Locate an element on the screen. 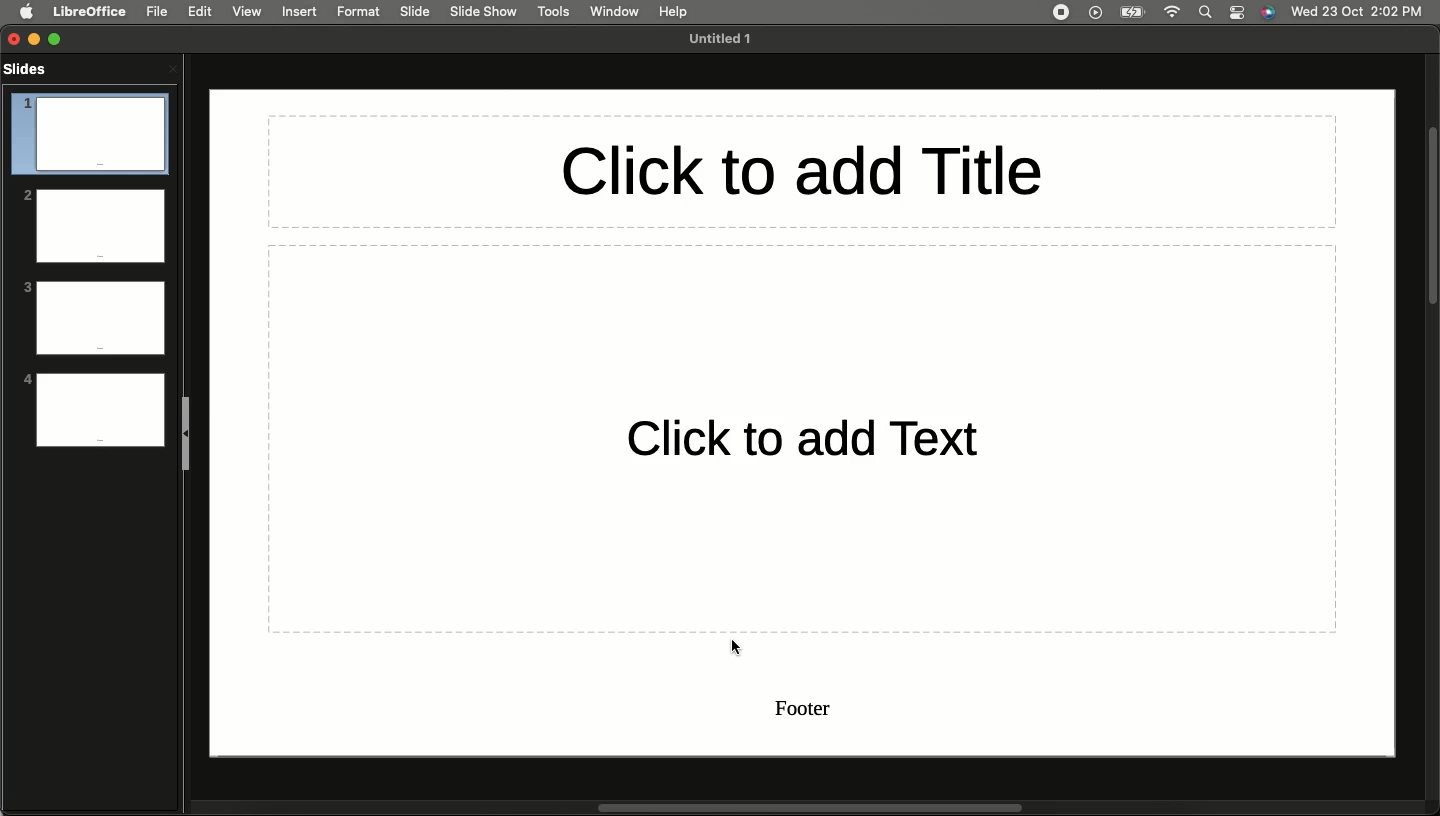 This screenshot has height=816, width=1440. Minimize is located at coordinates (39, 39).